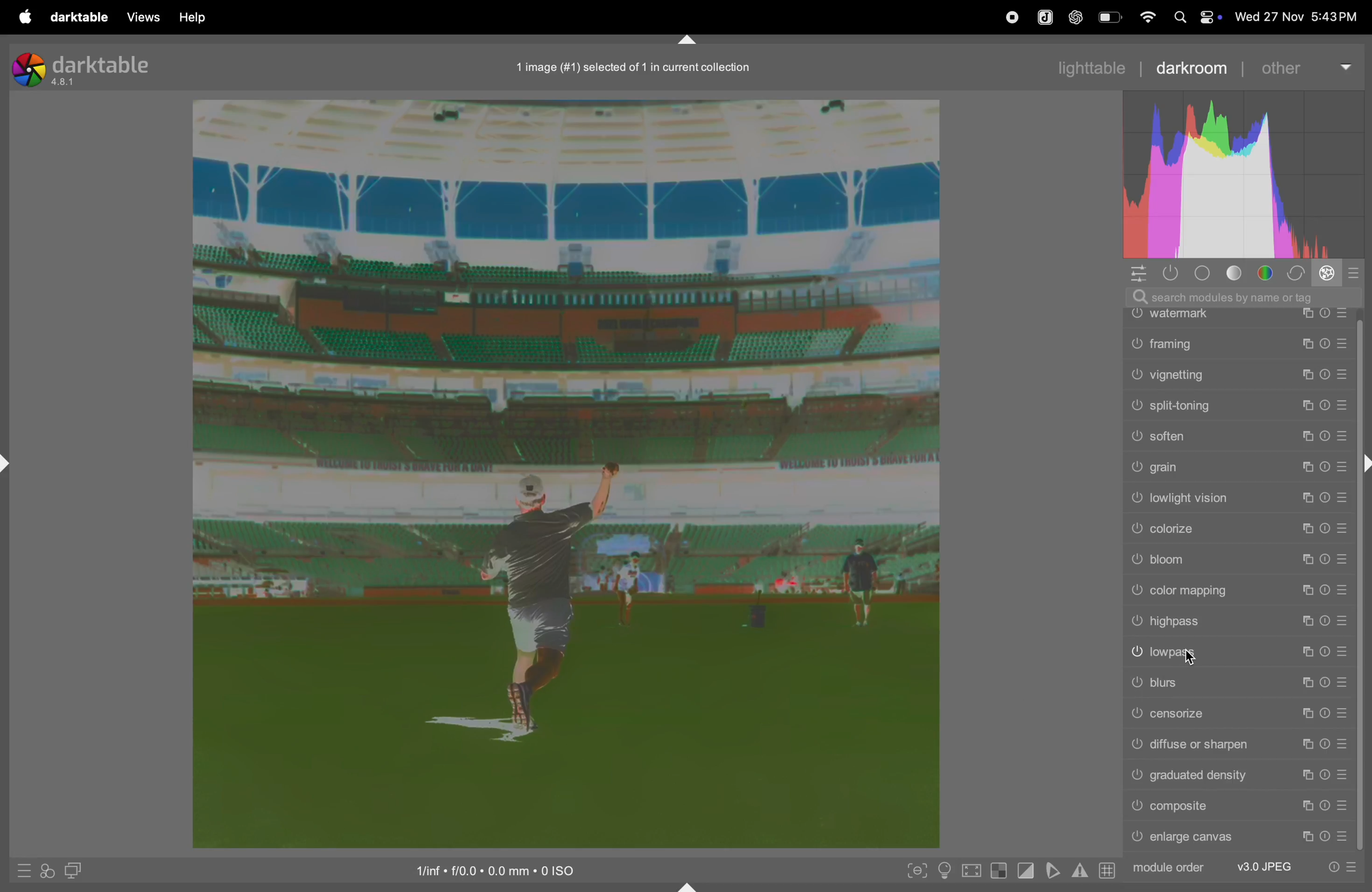  I want to click on record, so click(1009, 17).